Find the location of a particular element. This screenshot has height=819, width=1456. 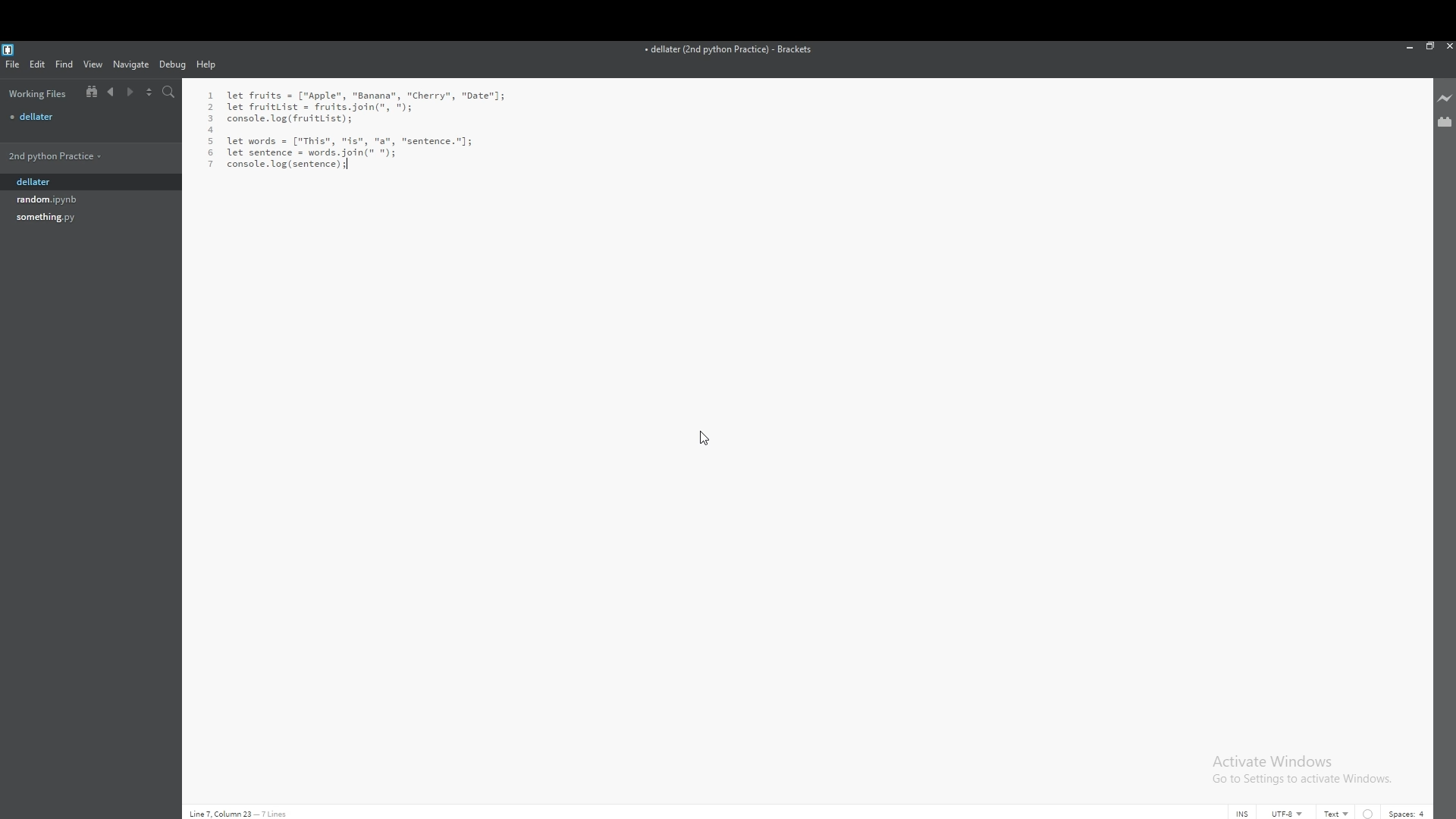

text is located at coordinates (1338, 813).